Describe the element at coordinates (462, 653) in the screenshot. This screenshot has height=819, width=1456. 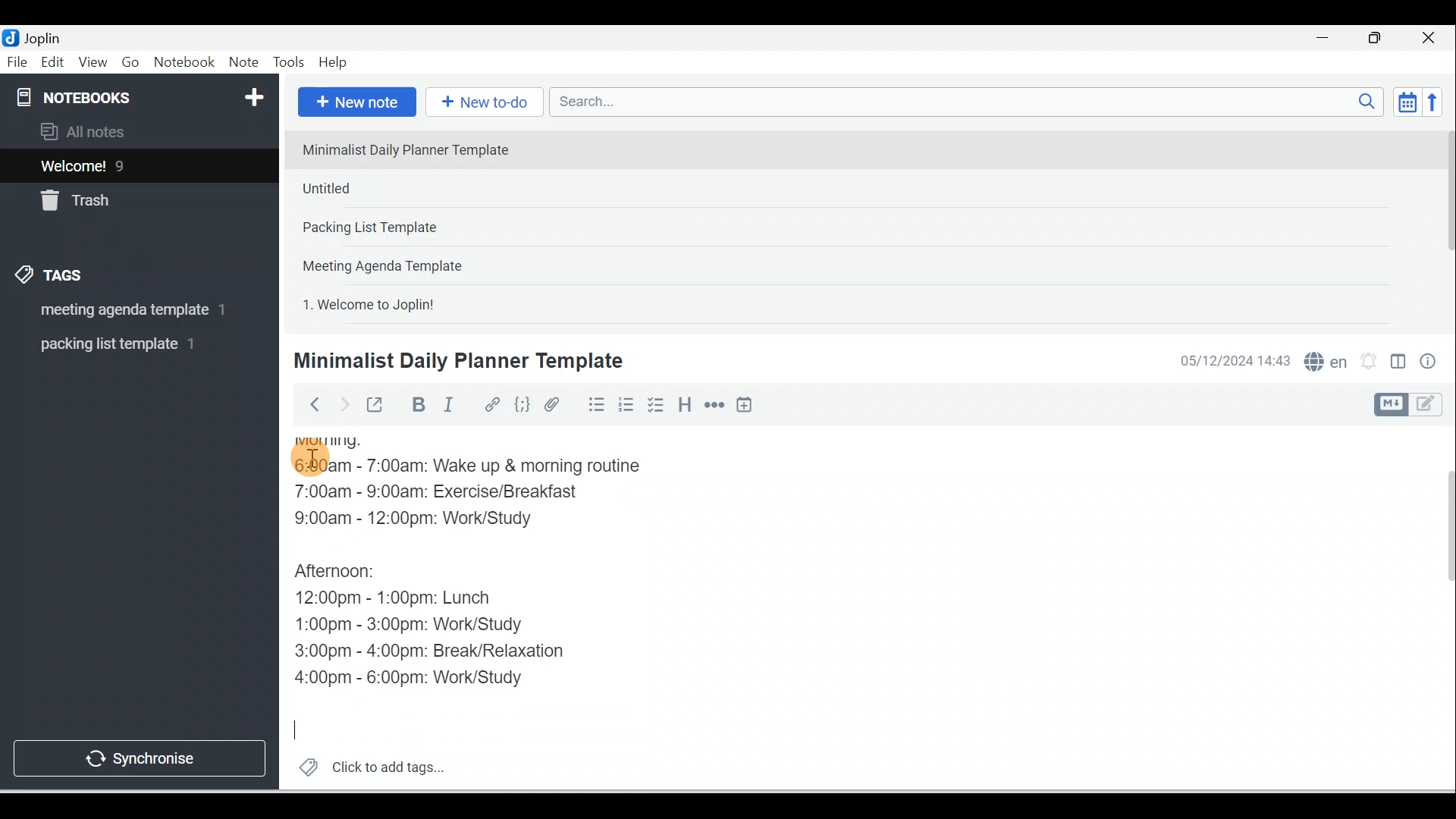
I see `3:00pm - 4:00pm: Break/Relaxation` at that location.